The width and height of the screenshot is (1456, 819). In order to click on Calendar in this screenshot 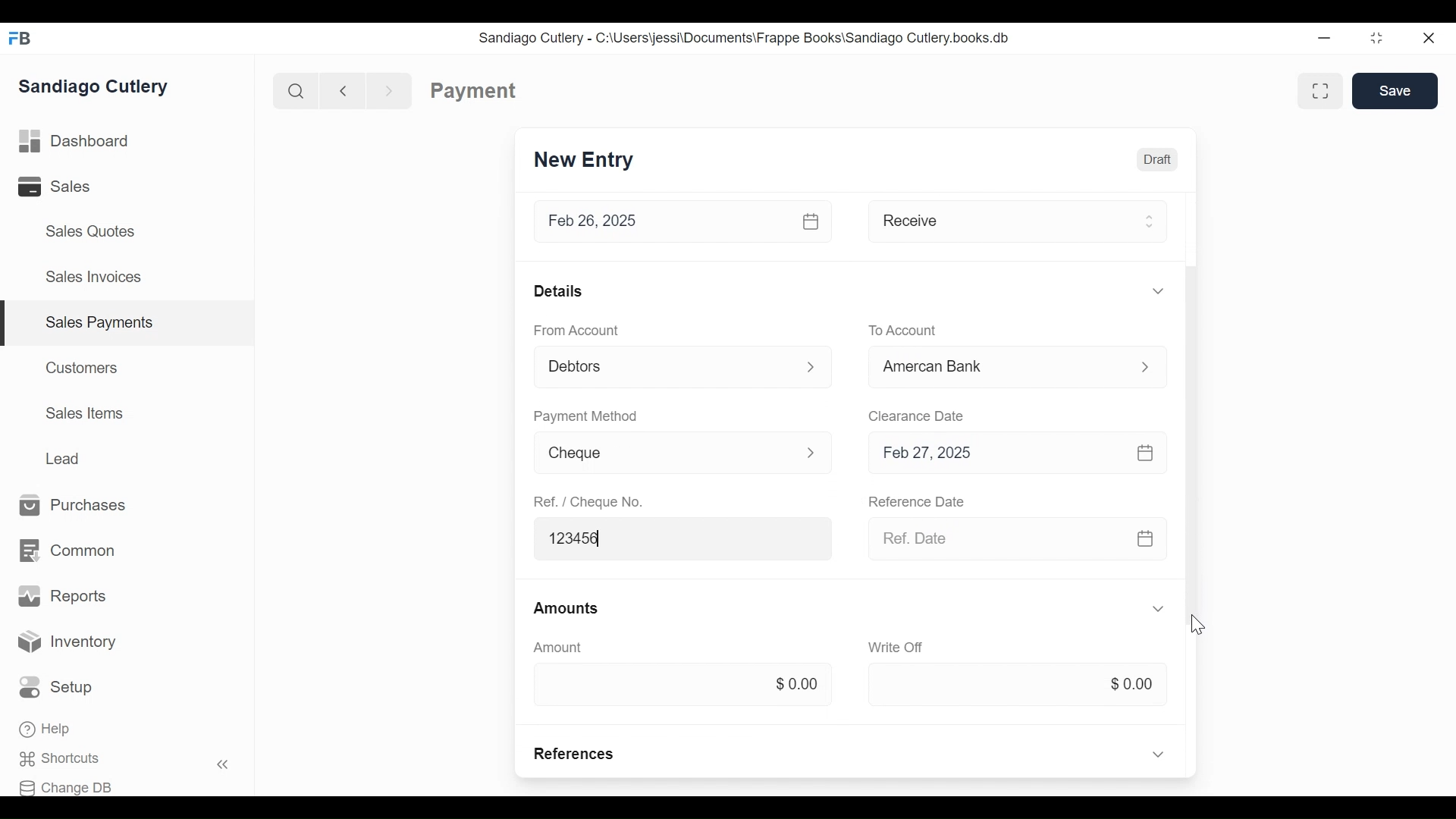, I will do `click(1143, 451)`.